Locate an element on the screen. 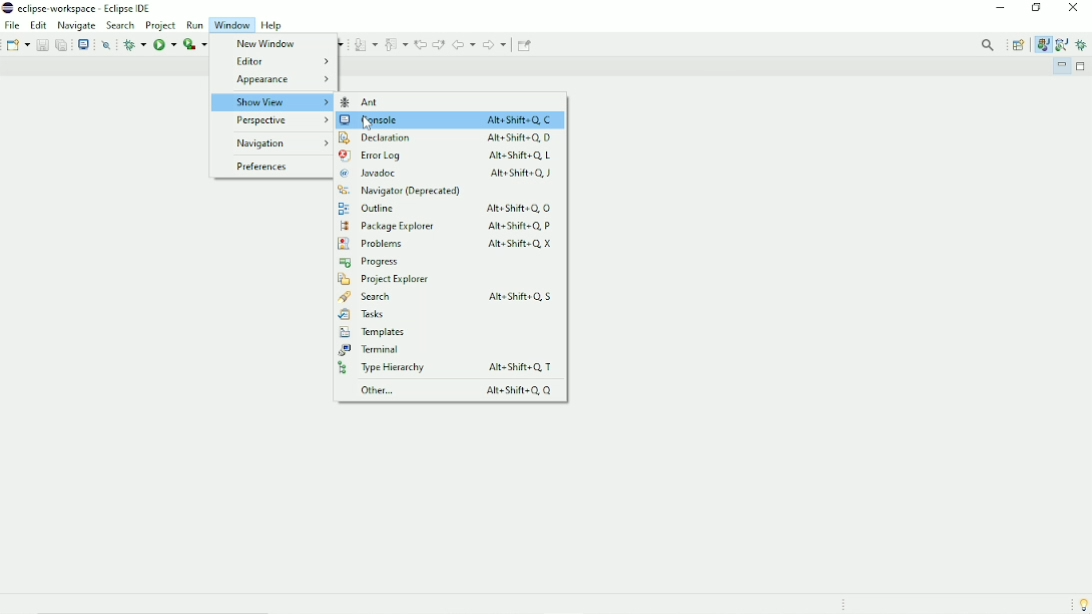  New Window is located at coordinates (263, 44).